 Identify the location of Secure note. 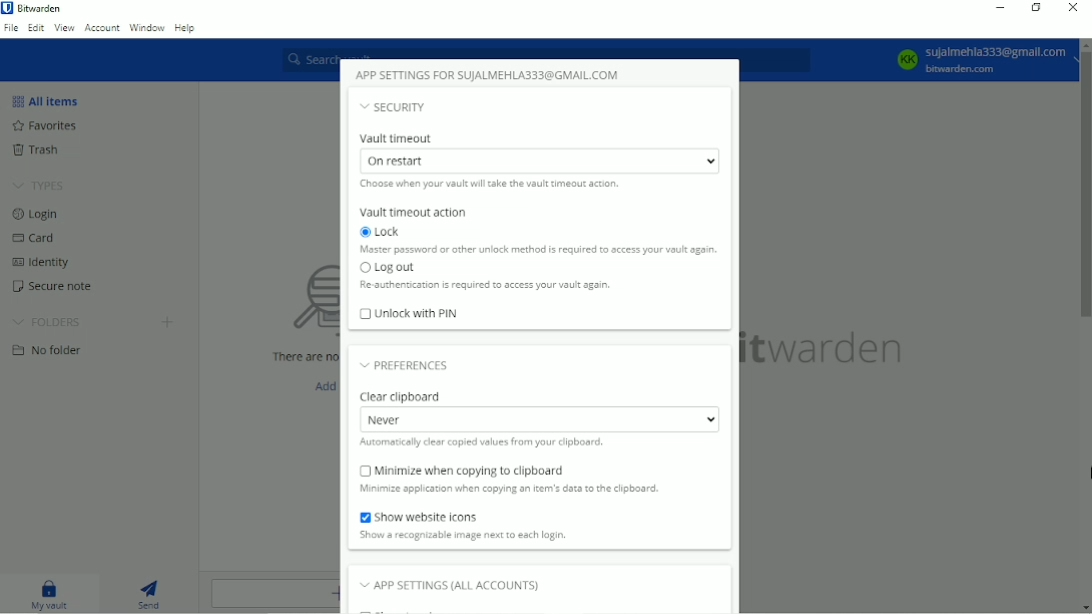
(53, 287).